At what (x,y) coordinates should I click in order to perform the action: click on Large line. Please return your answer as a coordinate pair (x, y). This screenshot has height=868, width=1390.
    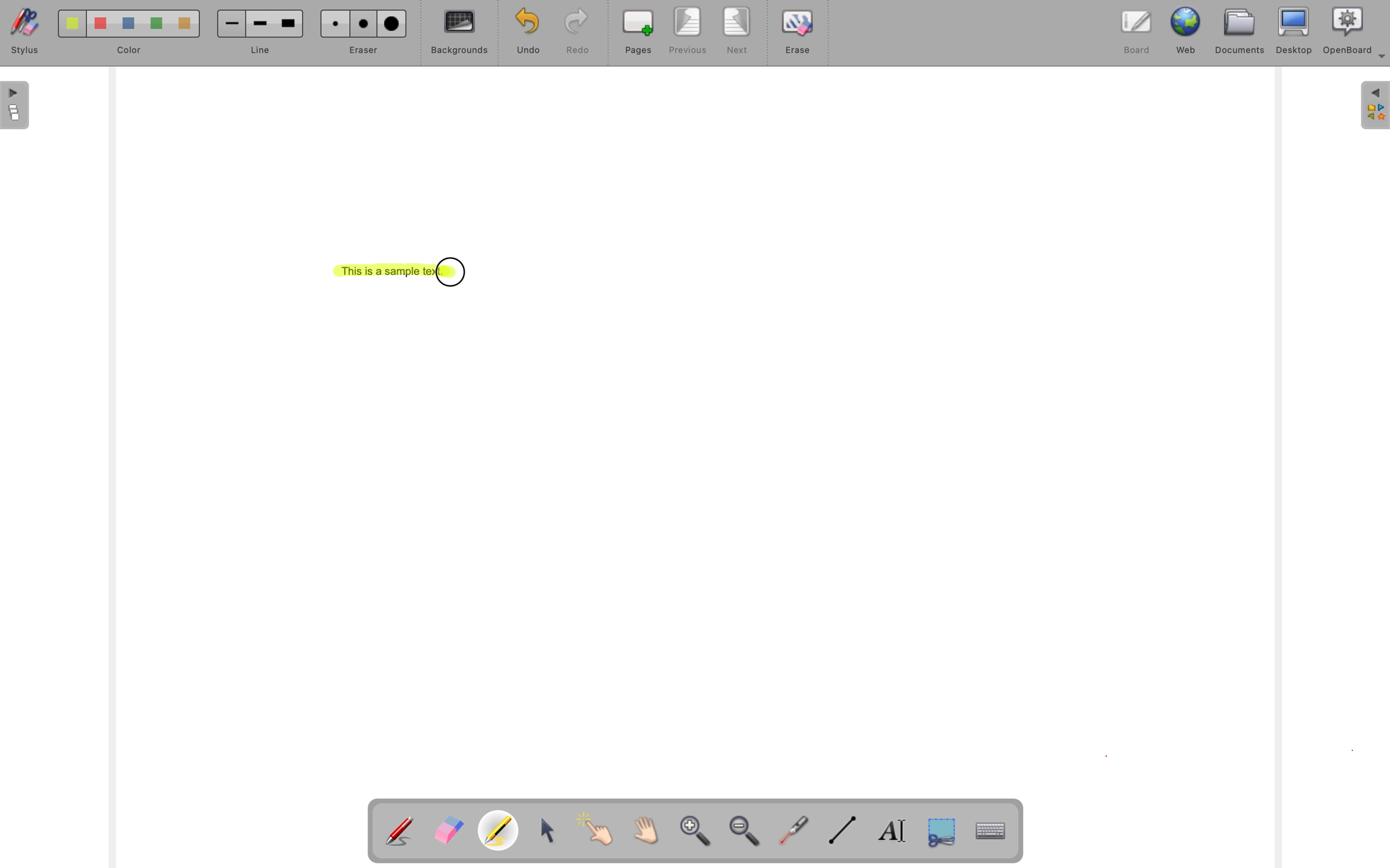
    Looking at the image, I should click on (291, 23).